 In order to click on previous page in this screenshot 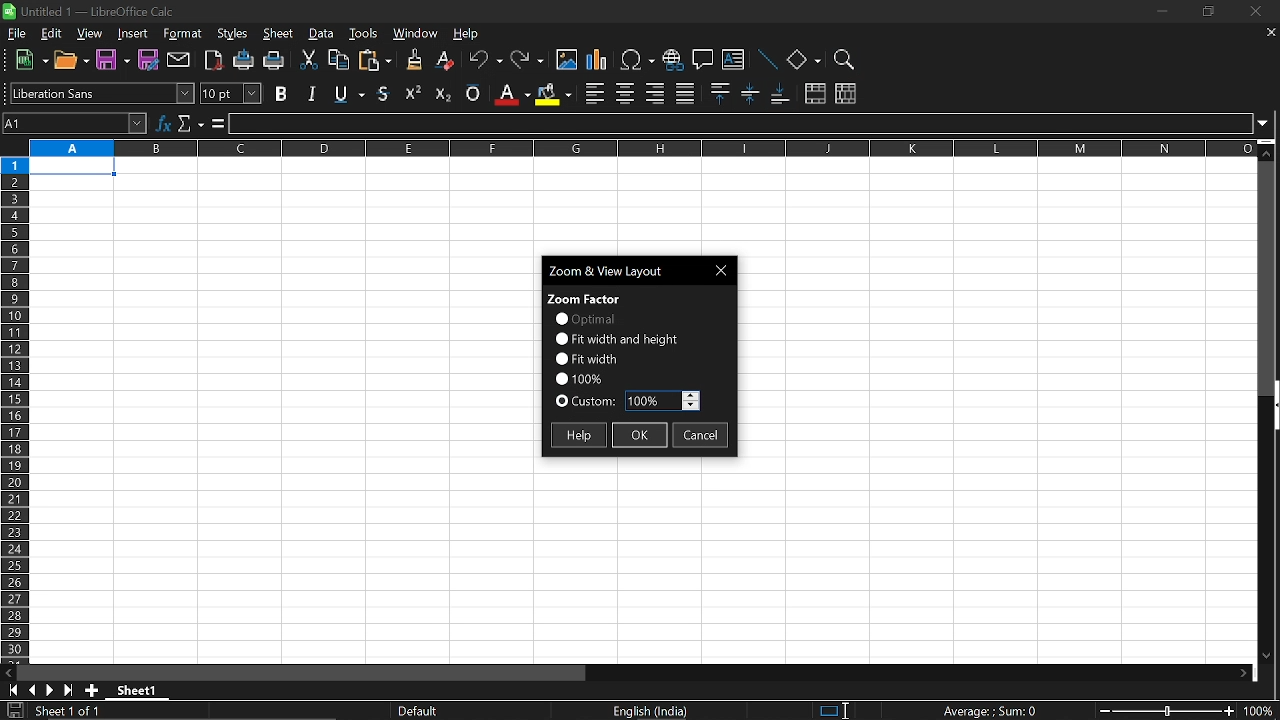, I will do `click(32, 690)`.